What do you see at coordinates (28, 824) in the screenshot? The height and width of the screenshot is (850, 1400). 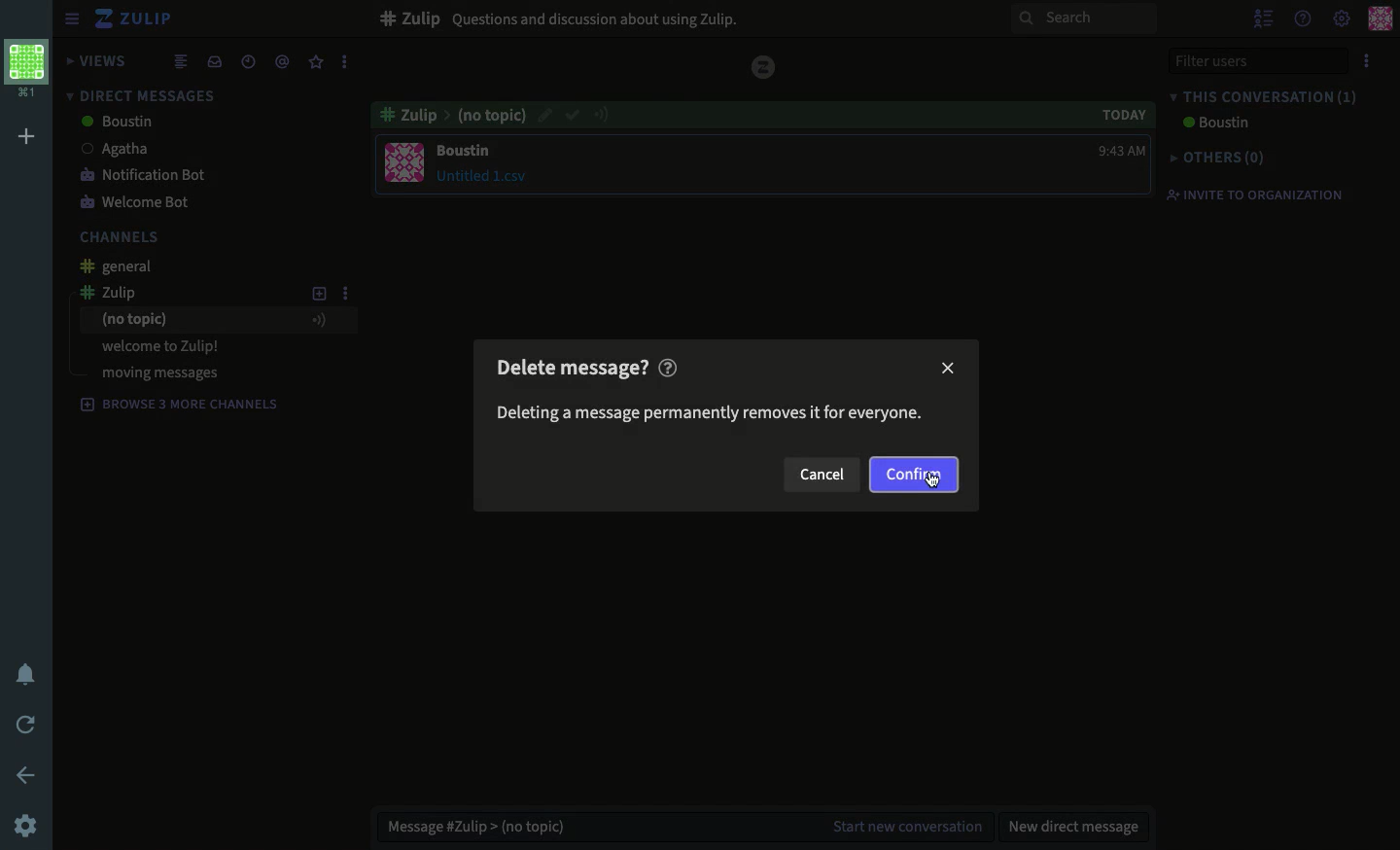 I see `settings` at bounding box center [28, 824].